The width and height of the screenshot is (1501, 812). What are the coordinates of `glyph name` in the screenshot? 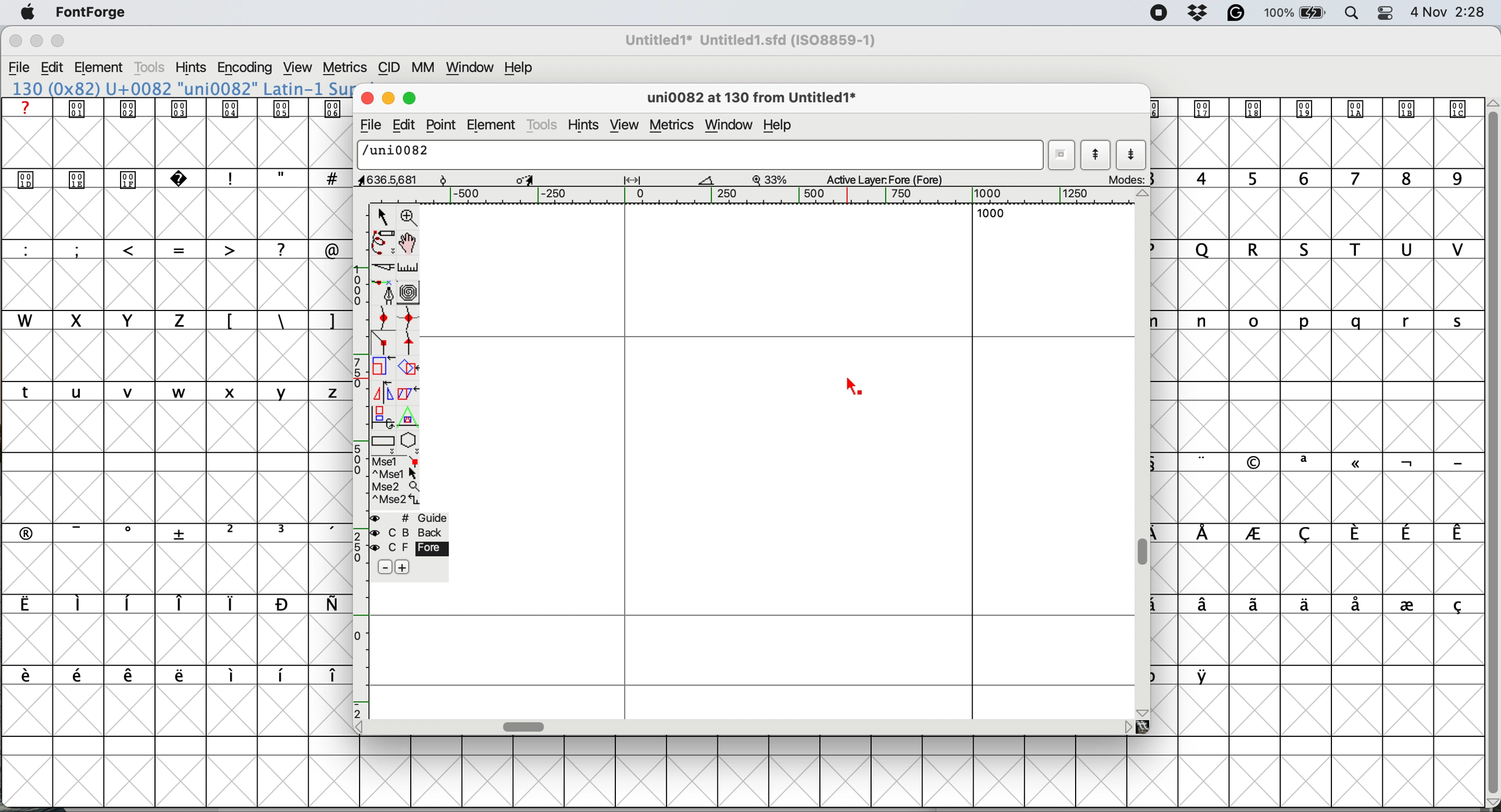 It's located at (749, 99).